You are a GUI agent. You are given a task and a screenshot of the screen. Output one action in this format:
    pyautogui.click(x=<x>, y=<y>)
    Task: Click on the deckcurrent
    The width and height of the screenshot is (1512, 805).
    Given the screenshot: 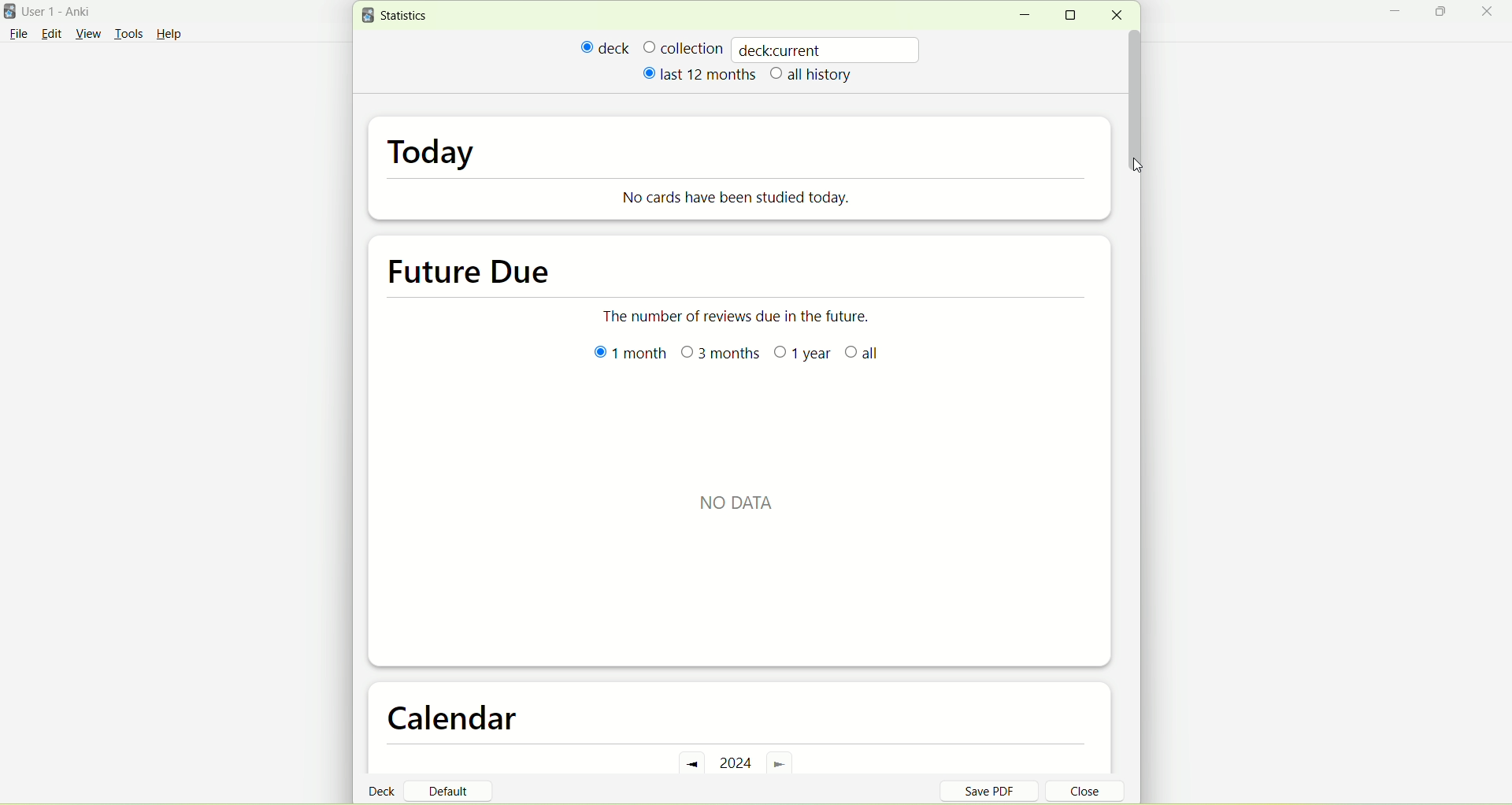 What is the action you would take?
    pyautogui.click(x=828, y=49)
    